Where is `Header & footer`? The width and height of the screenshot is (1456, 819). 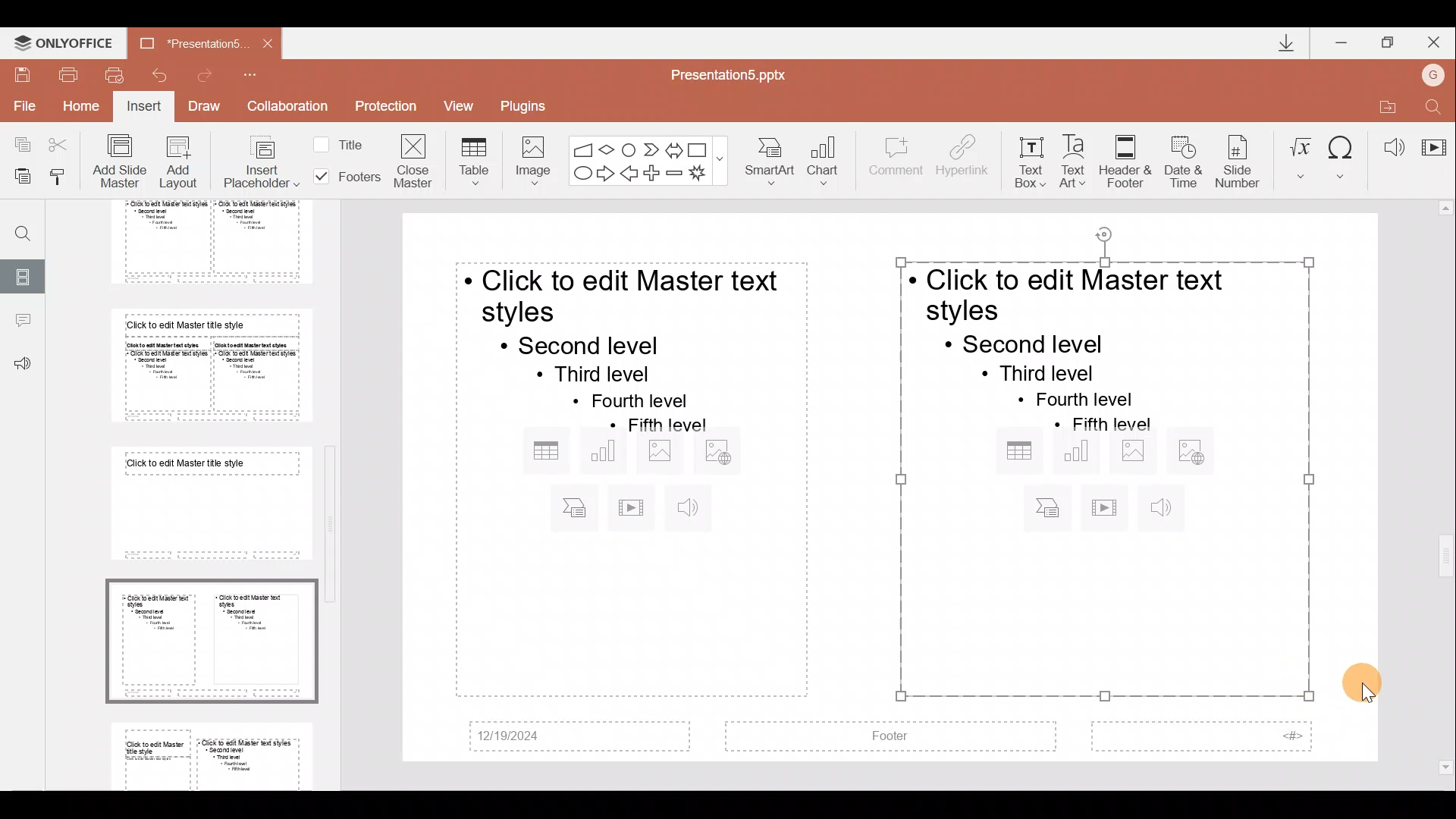
Header & footer is located at coordinates (1125, 161).